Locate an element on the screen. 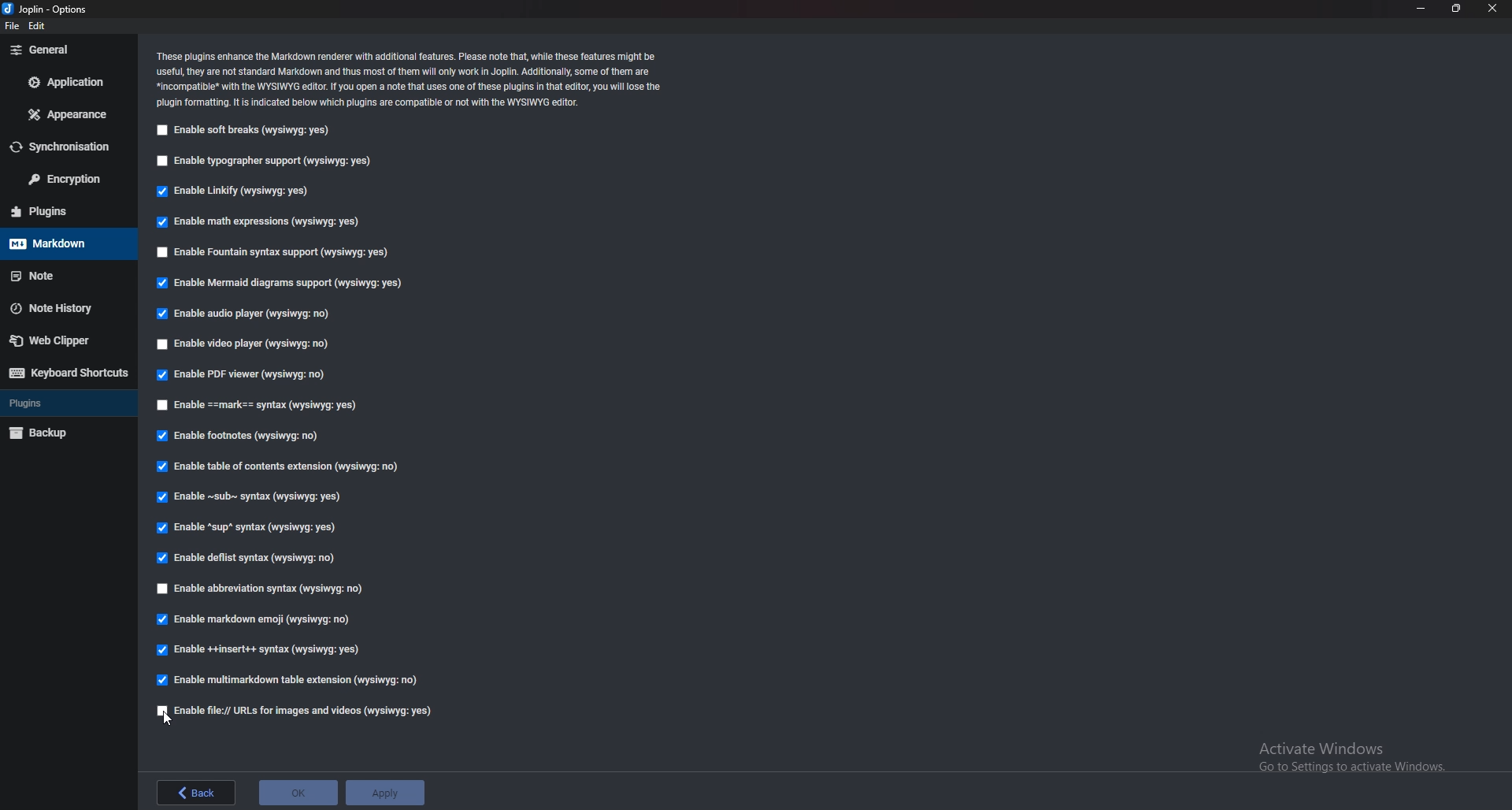  Enable audio player is located at coordinates (244, 314).